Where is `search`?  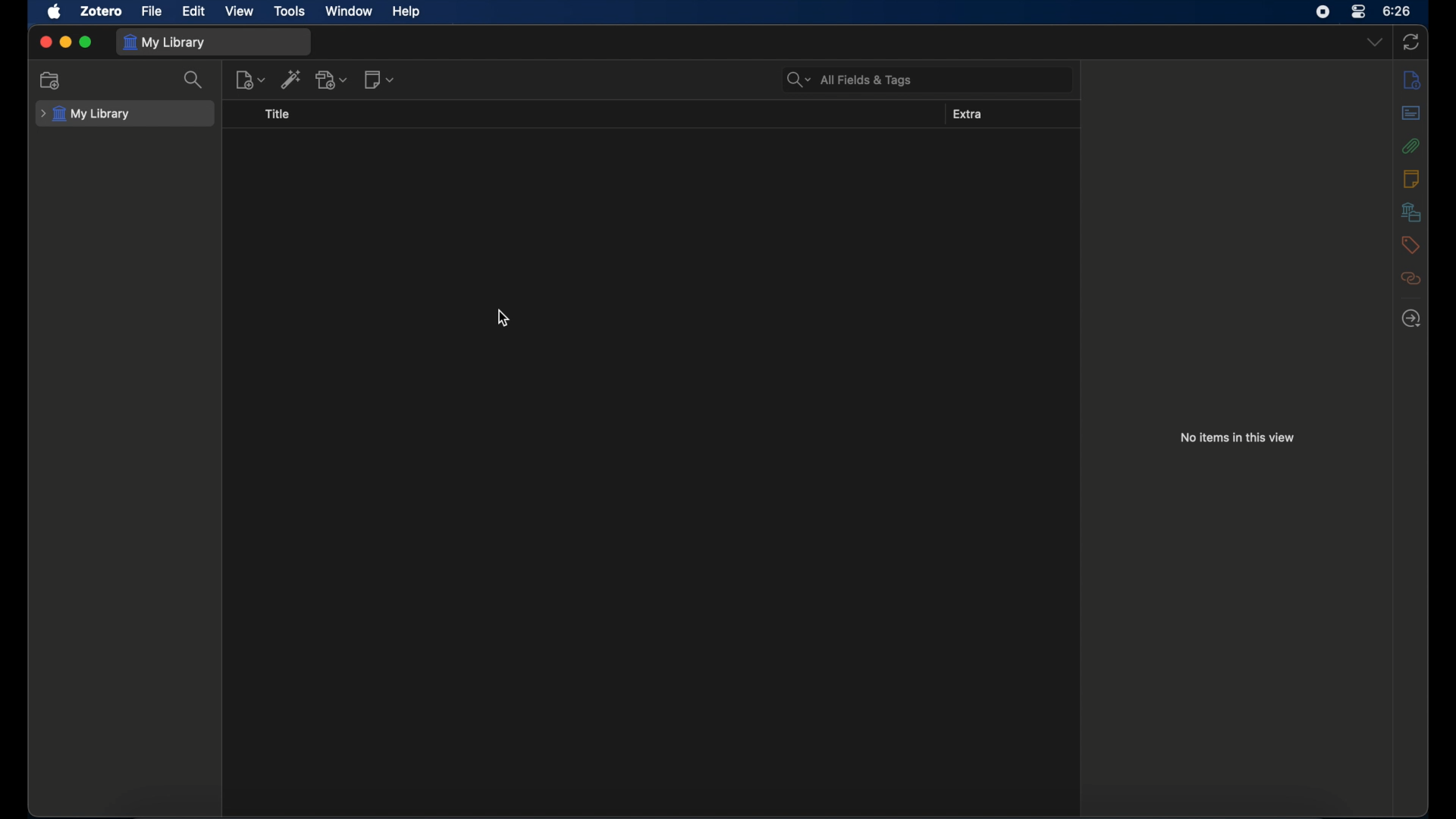 search is located at coordinates (193, 80).